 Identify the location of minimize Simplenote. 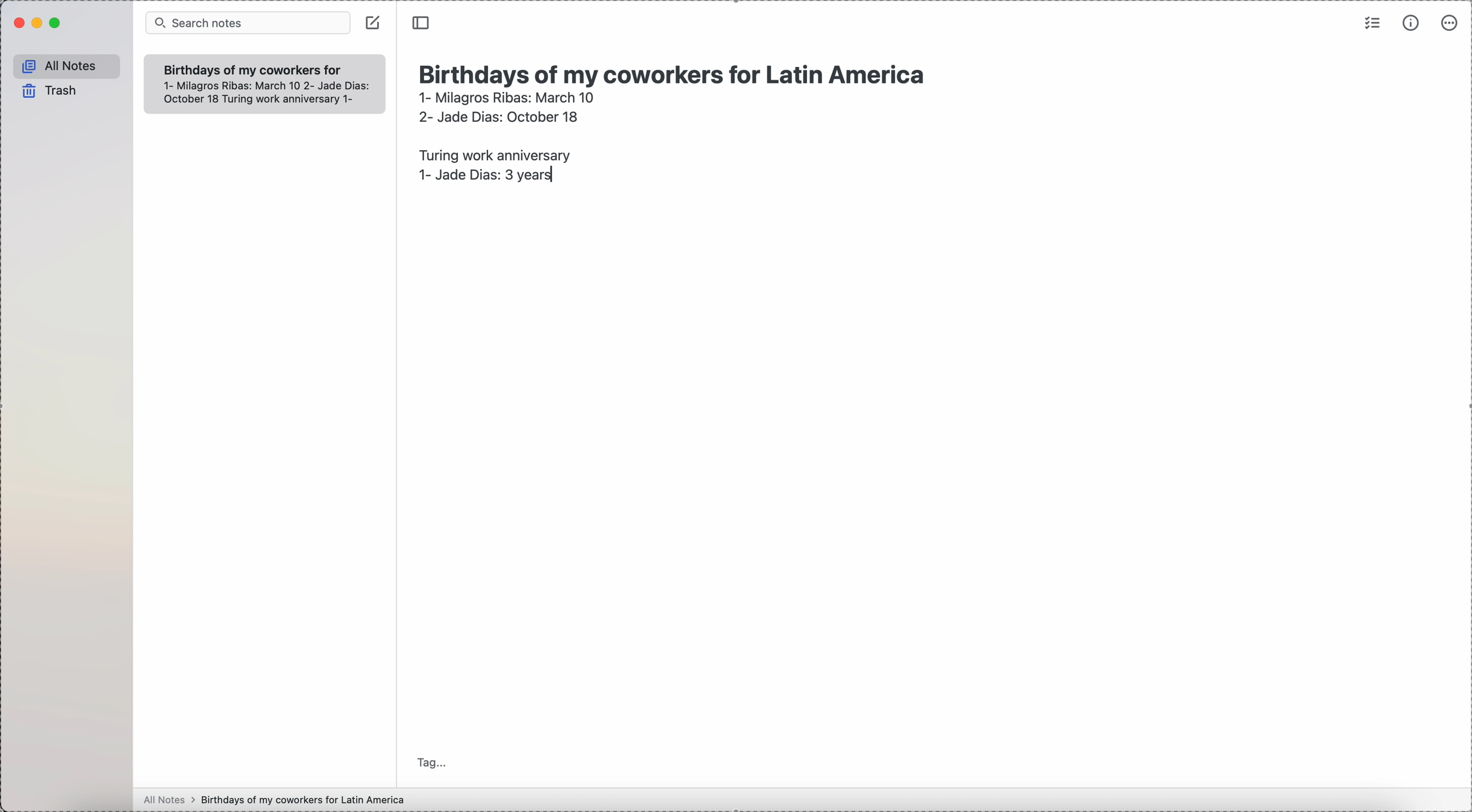
(39, 24).